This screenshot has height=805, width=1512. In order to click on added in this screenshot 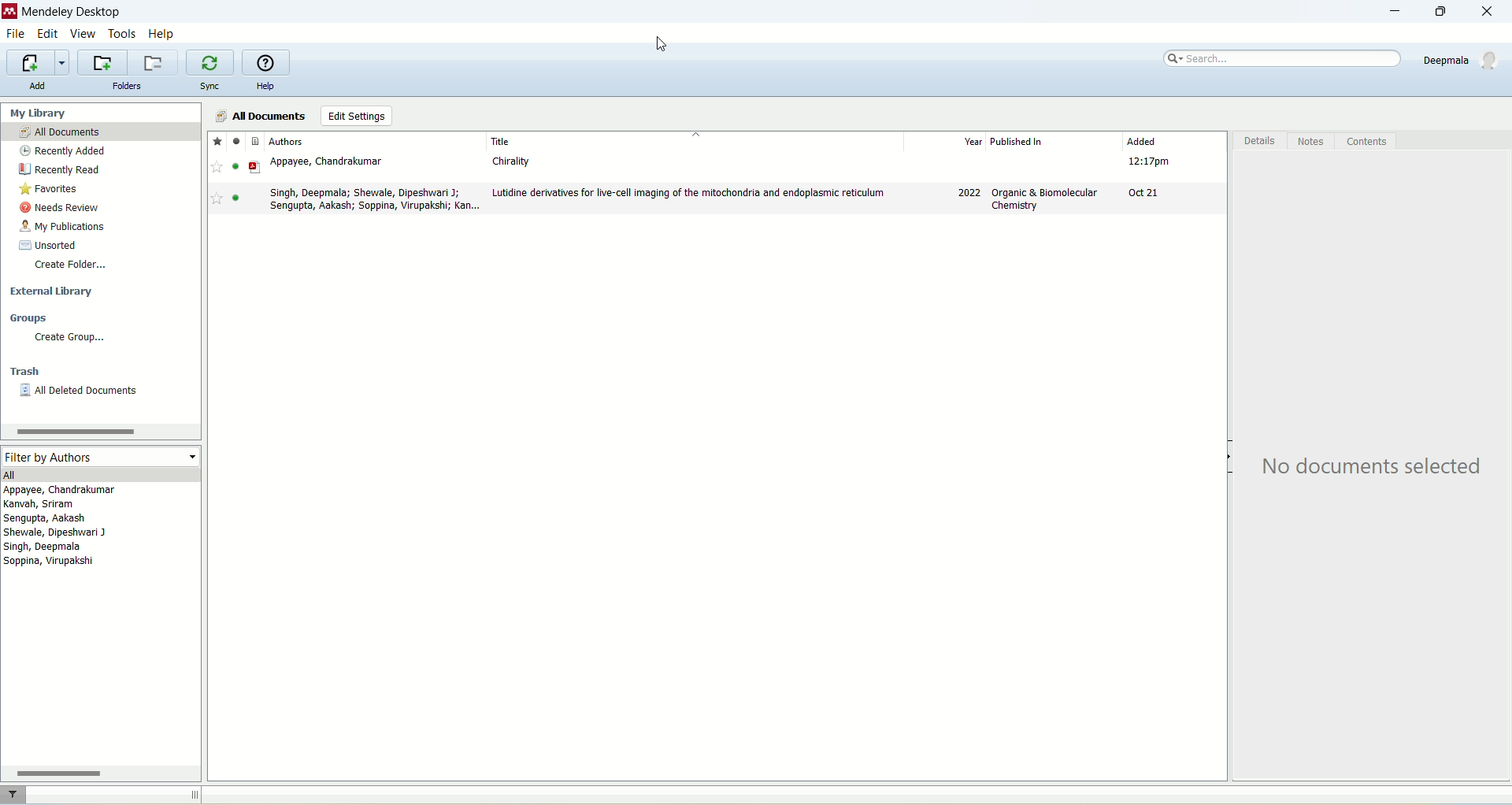, I will do `click(1176, 136)`.